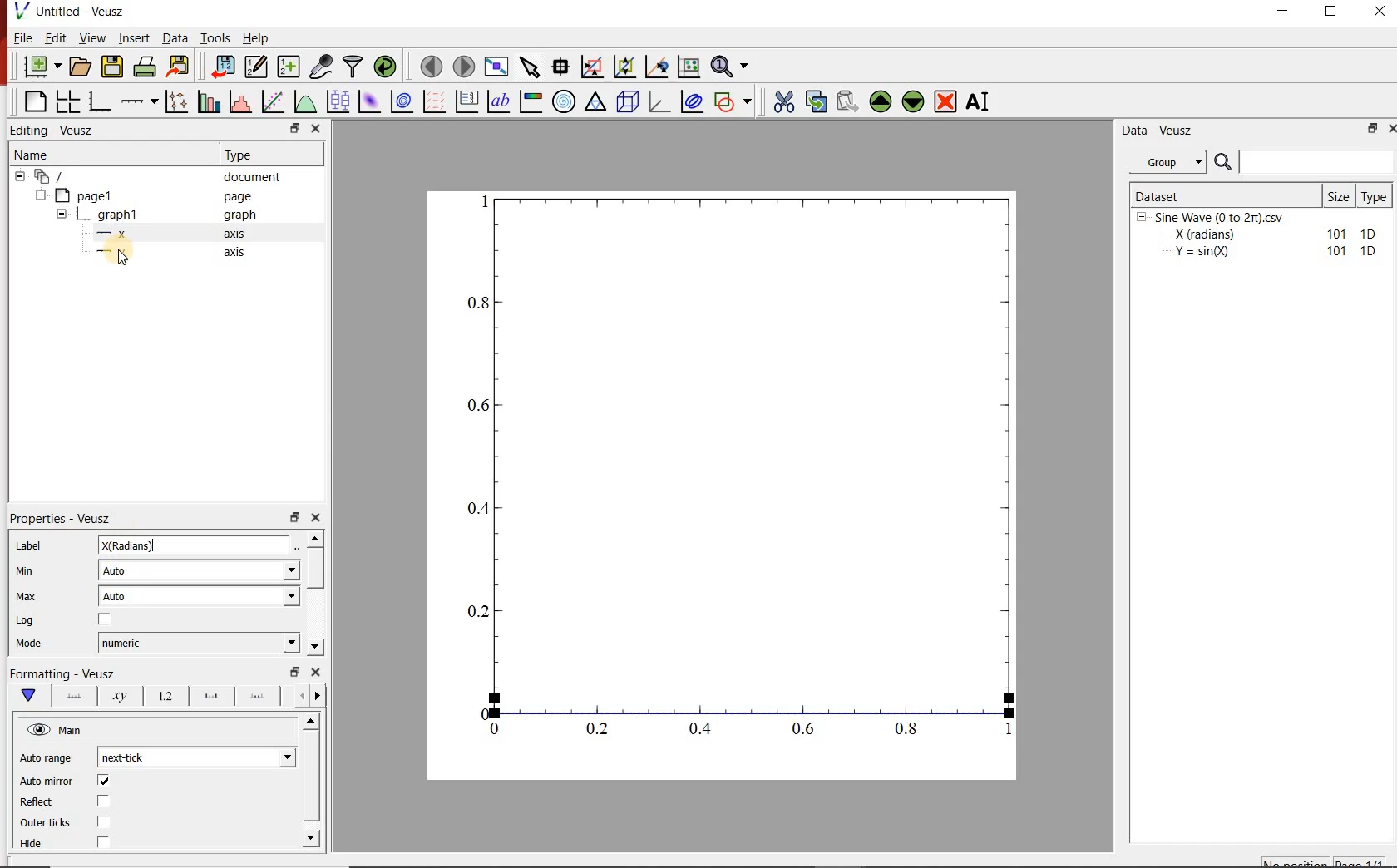 This screenshot has width=1397, height=868. I want to click on Size, so click(1340, 195).